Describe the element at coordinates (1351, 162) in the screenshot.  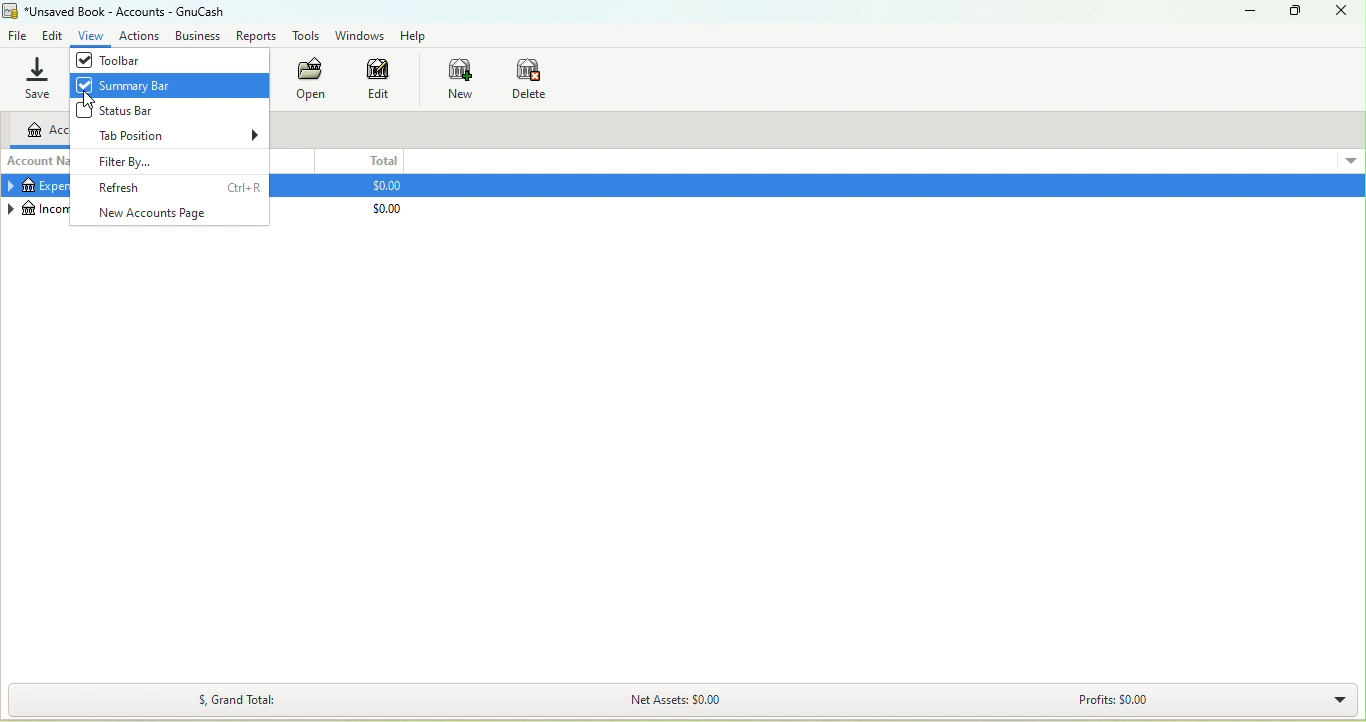
I see `More options` at that location.